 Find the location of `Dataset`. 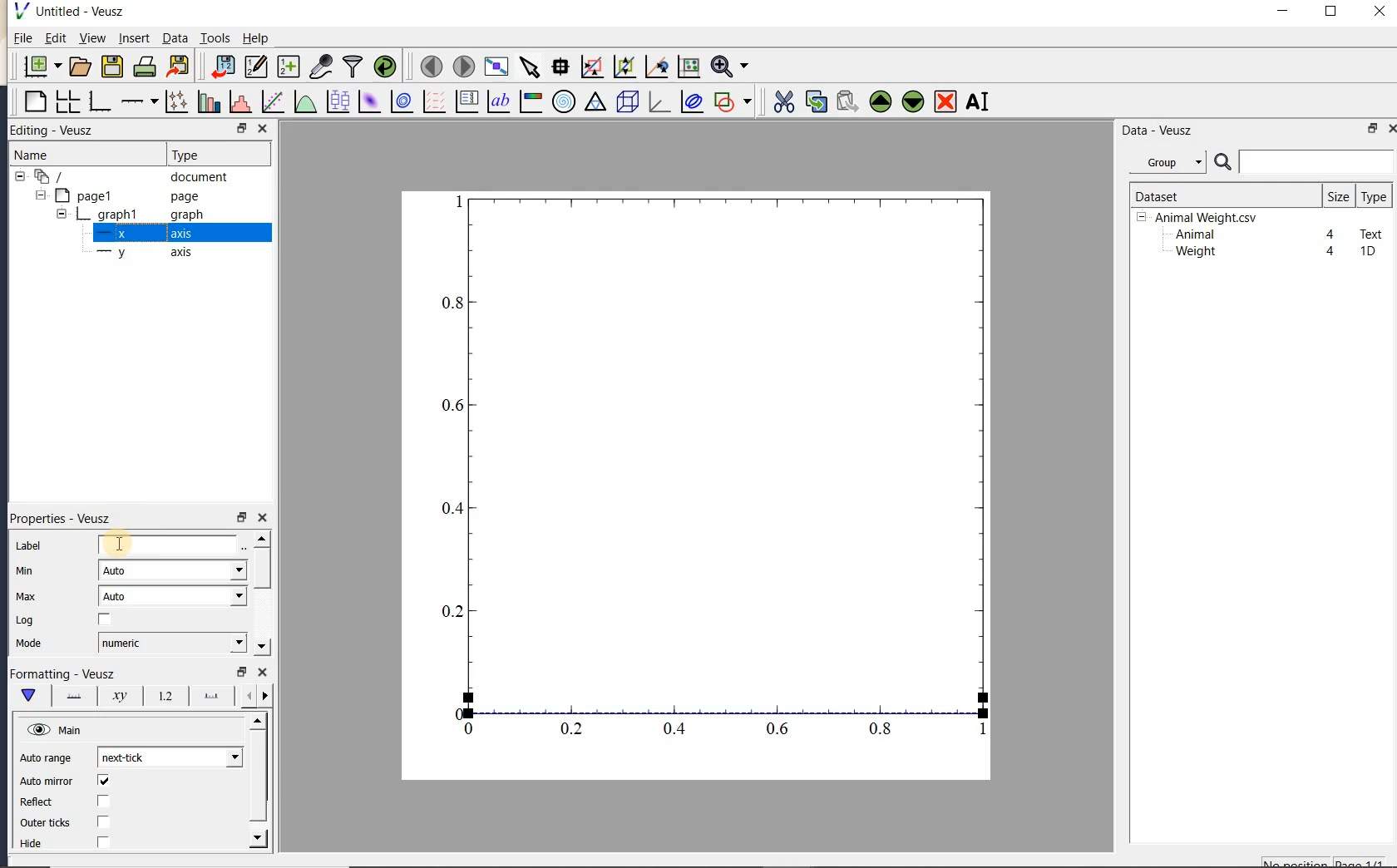

Dataset is located at coordinates (1218, 195).